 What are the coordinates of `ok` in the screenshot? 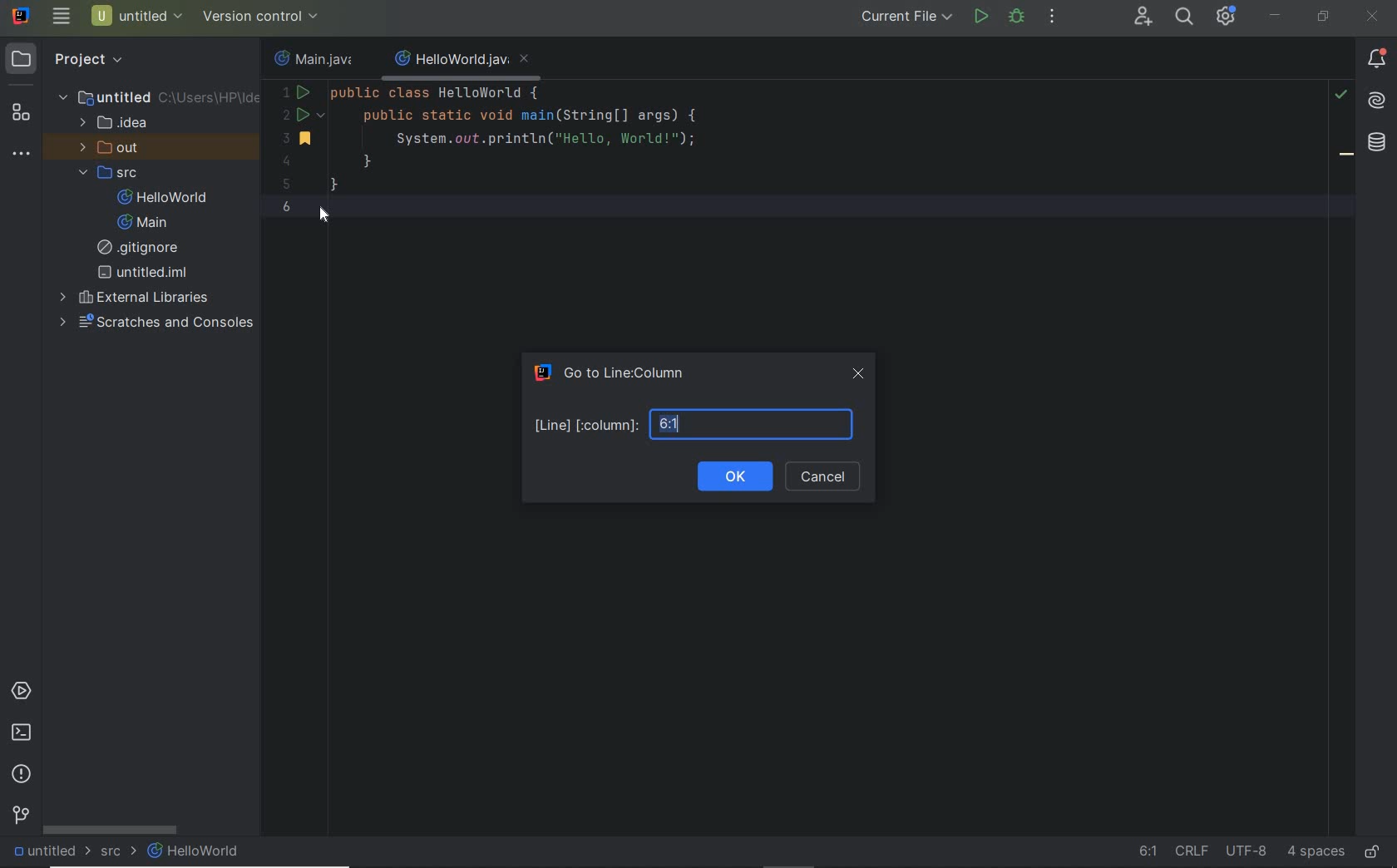 It's located at (733, 476).